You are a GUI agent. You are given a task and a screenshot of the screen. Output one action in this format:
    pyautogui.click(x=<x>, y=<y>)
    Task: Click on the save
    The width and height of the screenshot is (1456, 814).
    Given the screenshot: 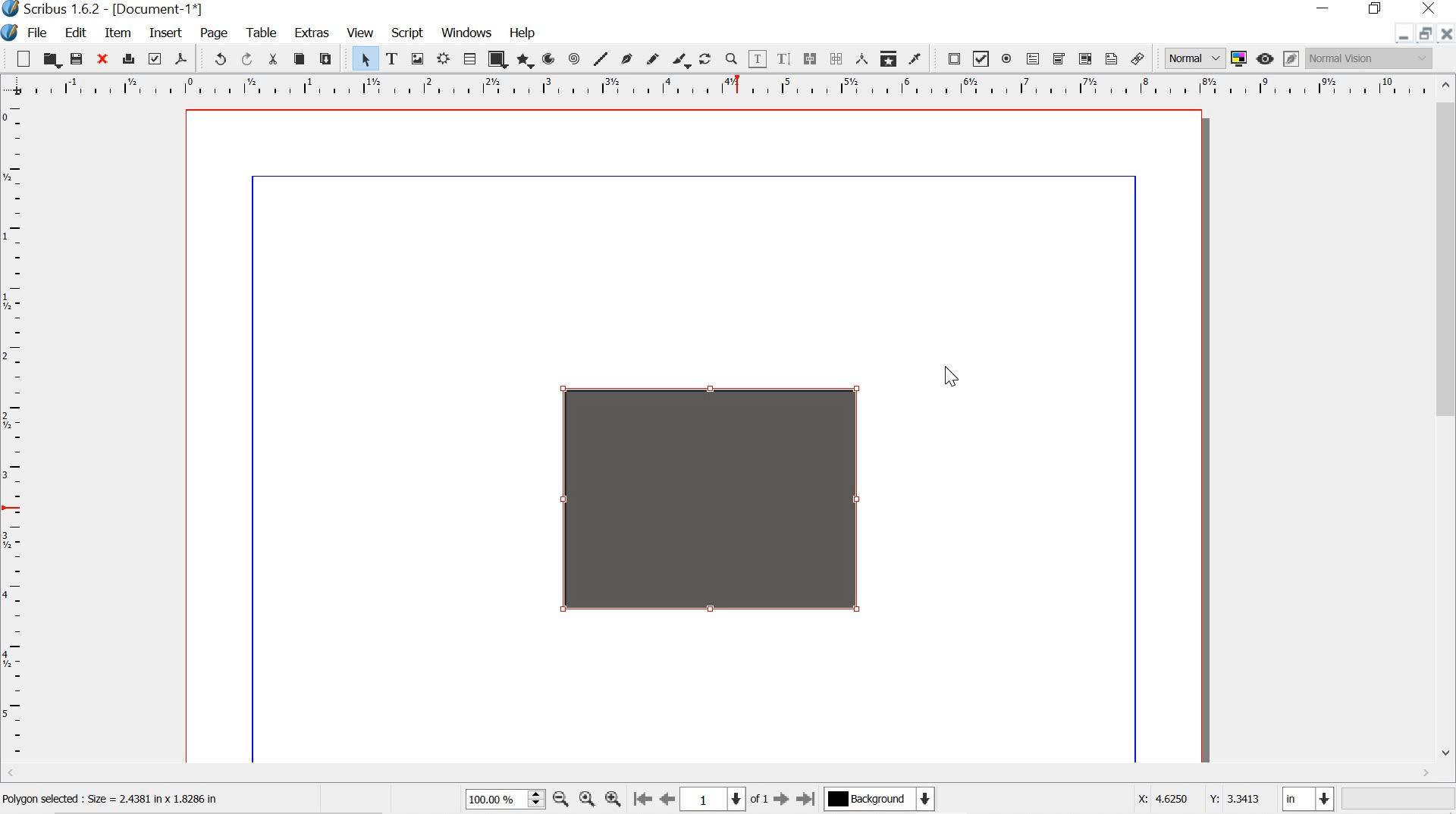 What is the action you would take?
    pyautogui.click(x=77, y=60)
    